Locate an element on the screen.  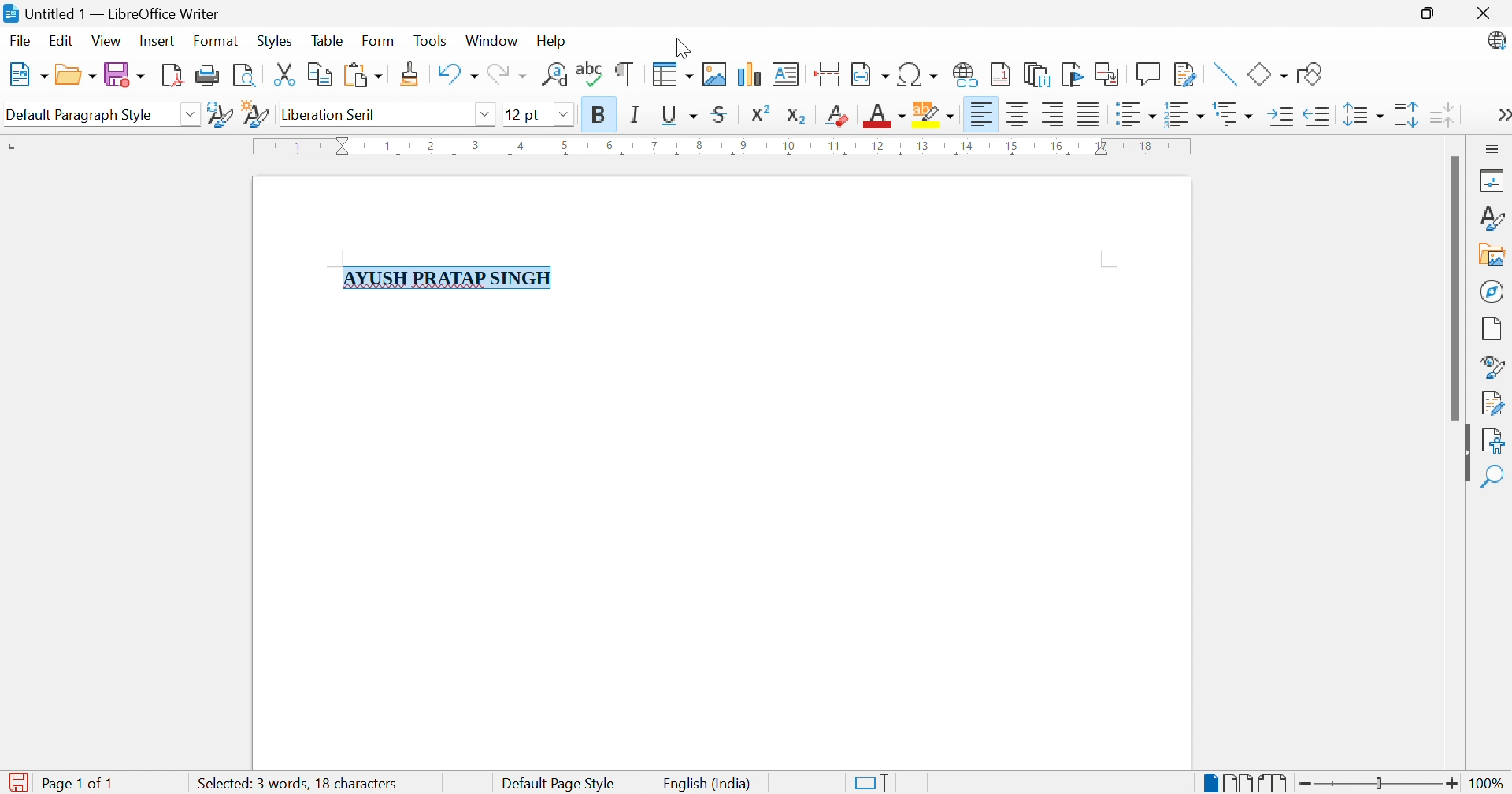
Find and Replace is located at coordinates (554, 74).